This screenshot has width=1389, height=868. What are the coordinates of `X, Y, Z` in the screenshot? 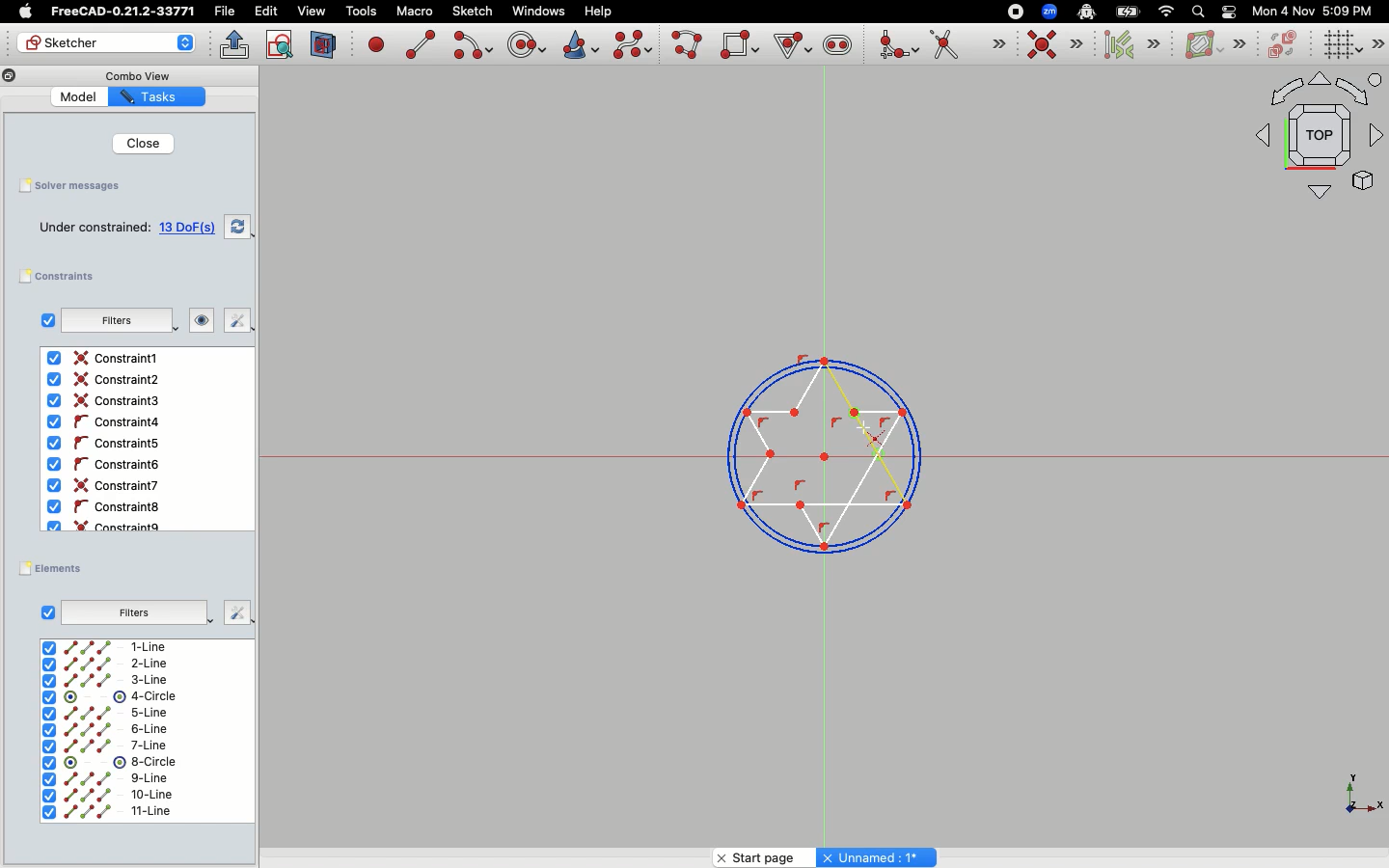 It's located at (1351, 800).